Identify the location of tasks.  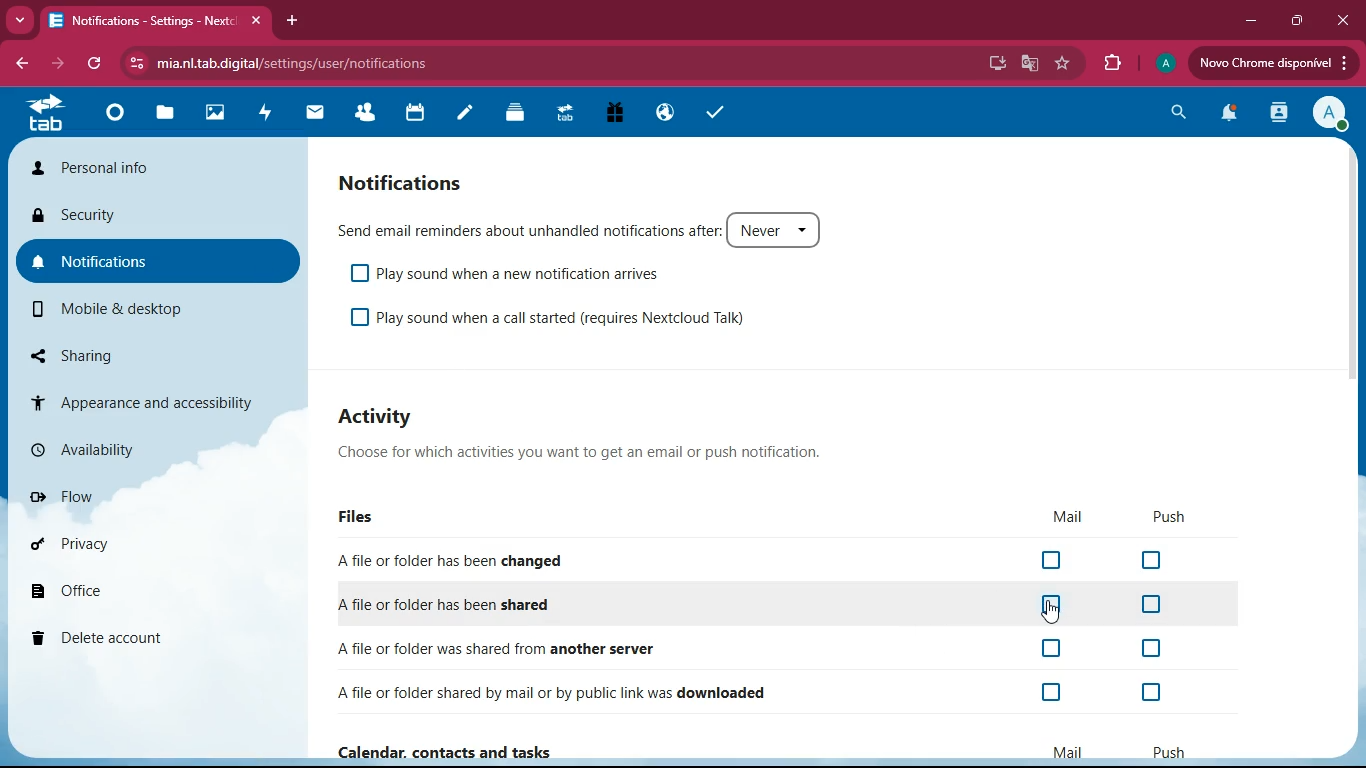
(714, 116).